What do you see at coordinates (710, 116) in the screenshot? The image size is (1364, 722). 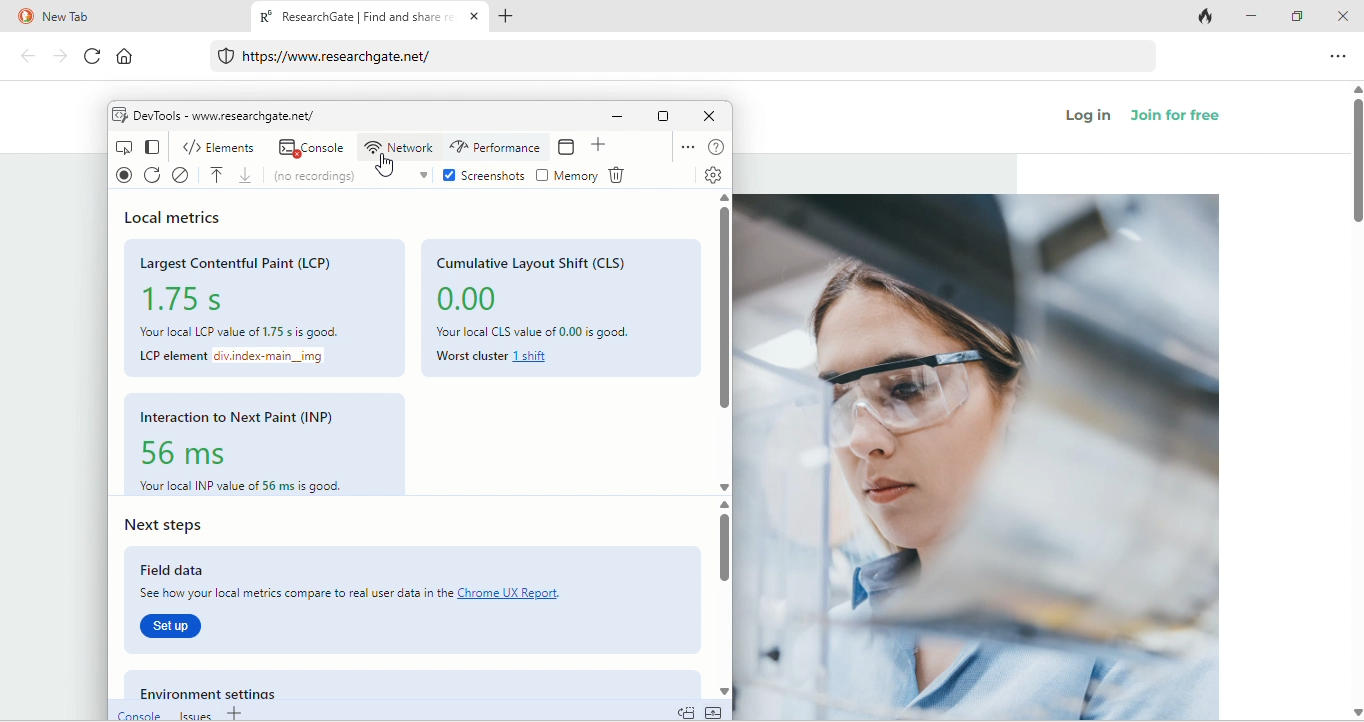 I see `close` at bounding box center [710, 116].